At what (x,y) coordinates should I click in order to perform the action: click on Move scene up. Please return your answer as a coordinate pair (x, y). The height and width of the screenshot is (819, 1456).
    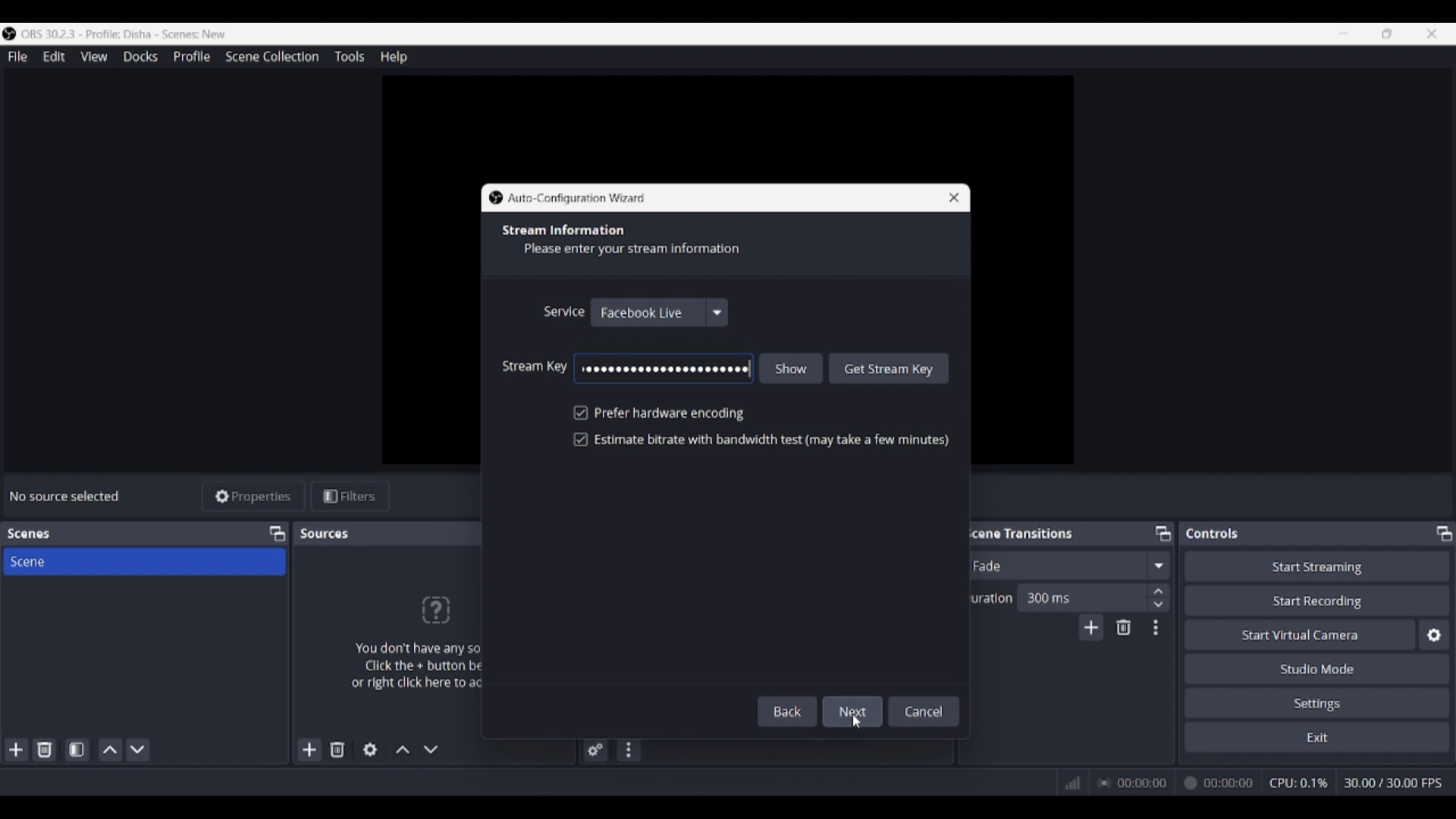
    Looking at the image, I should click on (111, 750).